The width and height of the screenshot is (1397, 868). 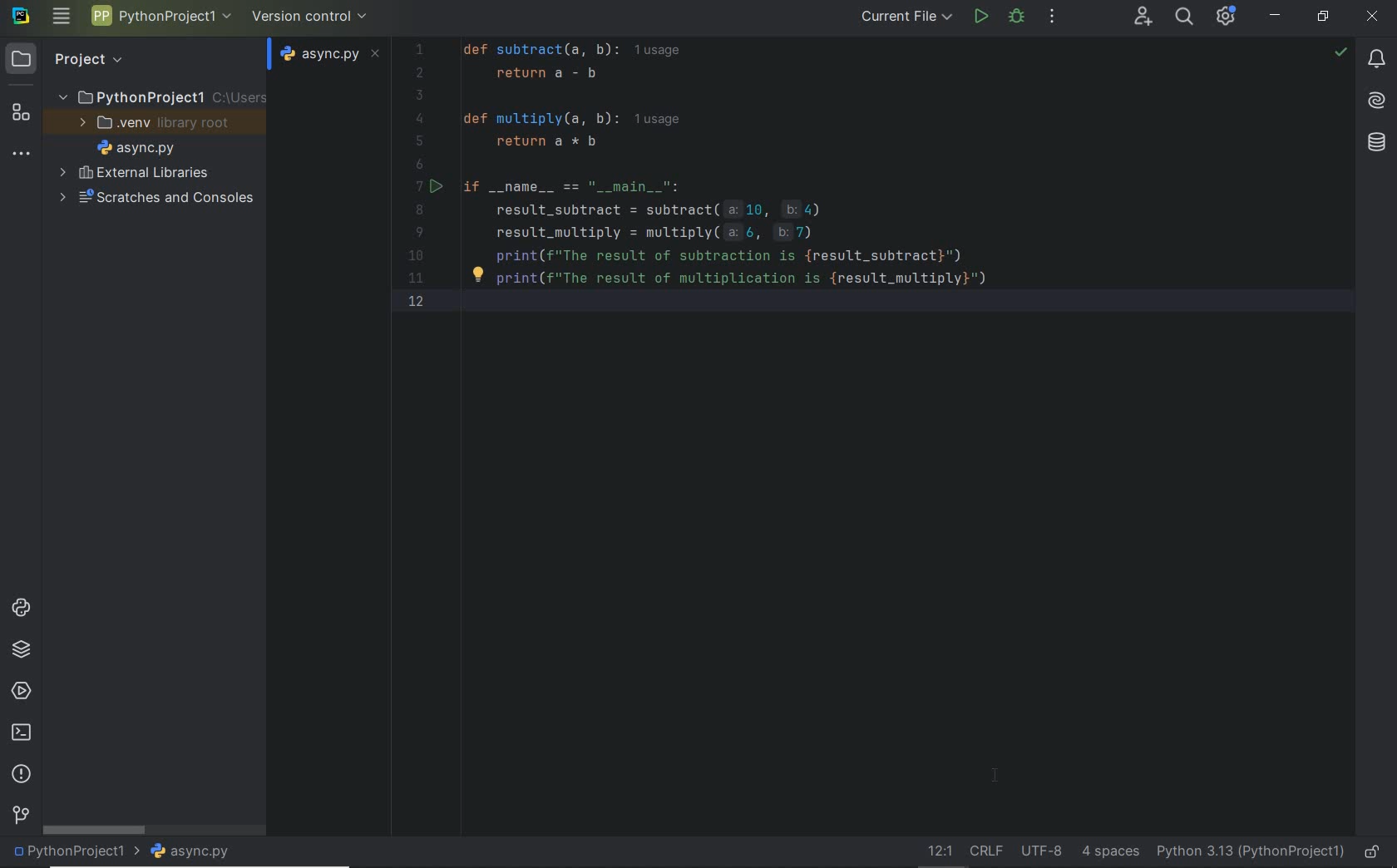 I want to click on .venv, so click(x=163, y=126).